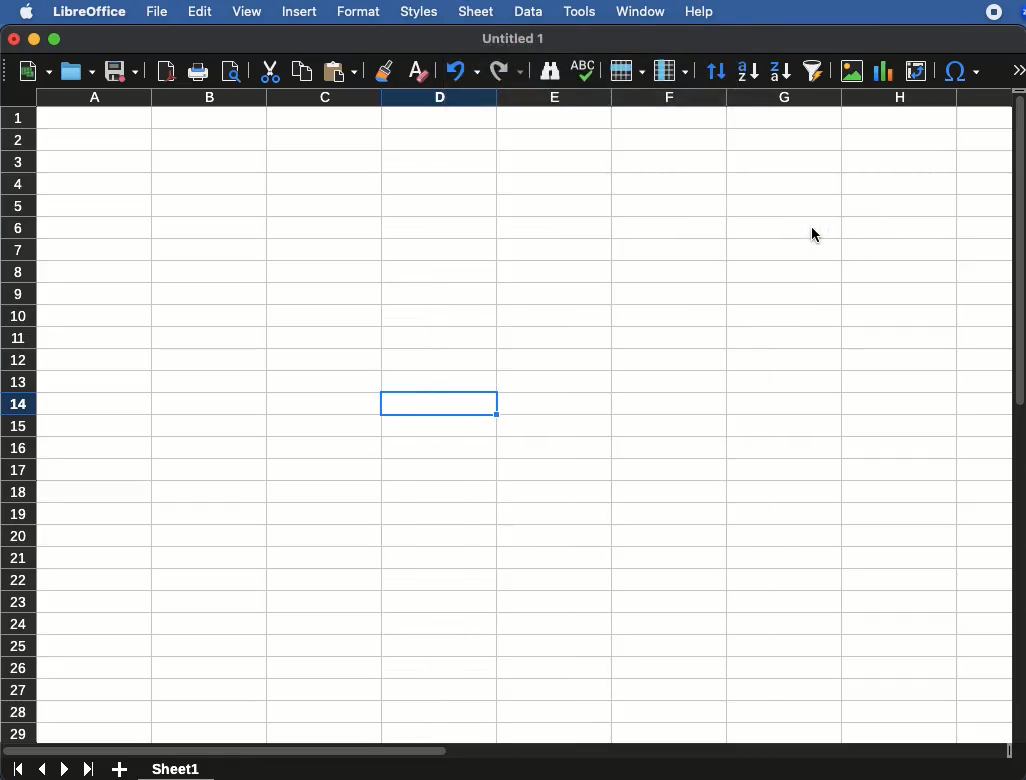 This screenshot has height=780, width=1026. I want to click on undo, so click(461, 70).